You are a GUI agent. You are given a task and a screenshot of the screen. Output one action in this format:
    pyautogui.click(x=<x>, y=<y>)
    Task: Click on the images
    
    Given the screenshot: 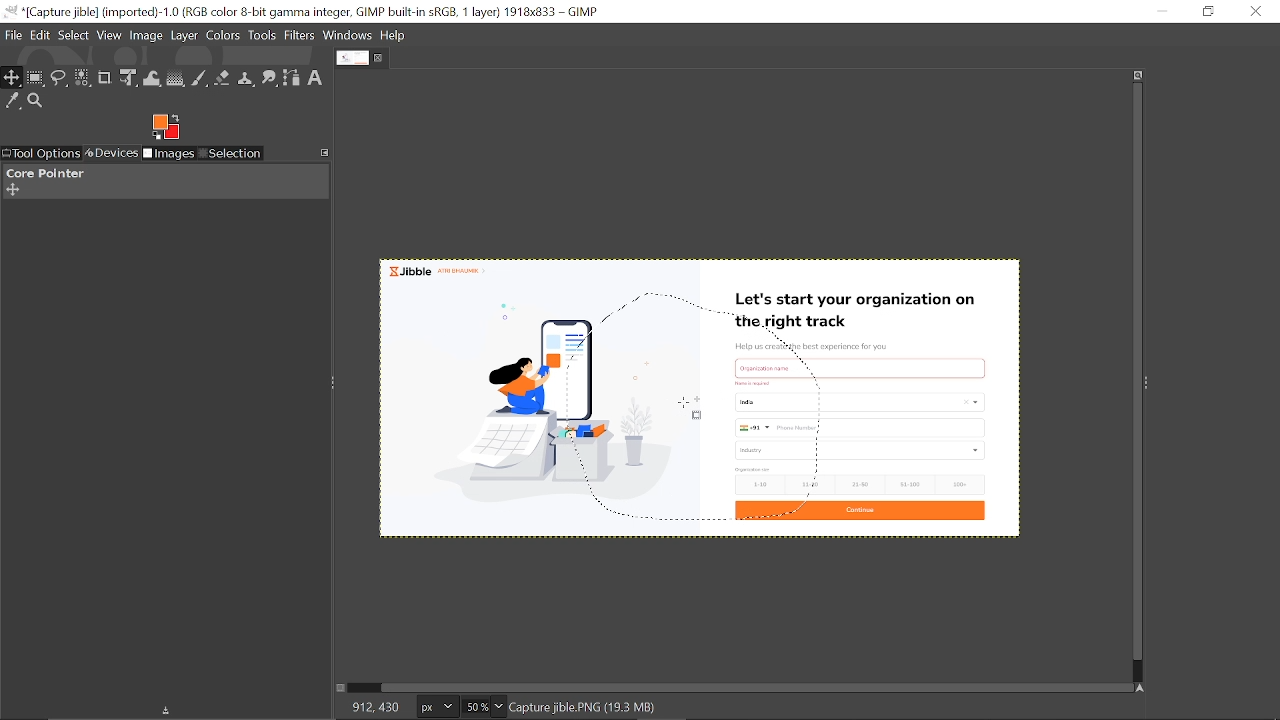 What is the action you would take?
    pyautogui.click(x=169, y=155)
    